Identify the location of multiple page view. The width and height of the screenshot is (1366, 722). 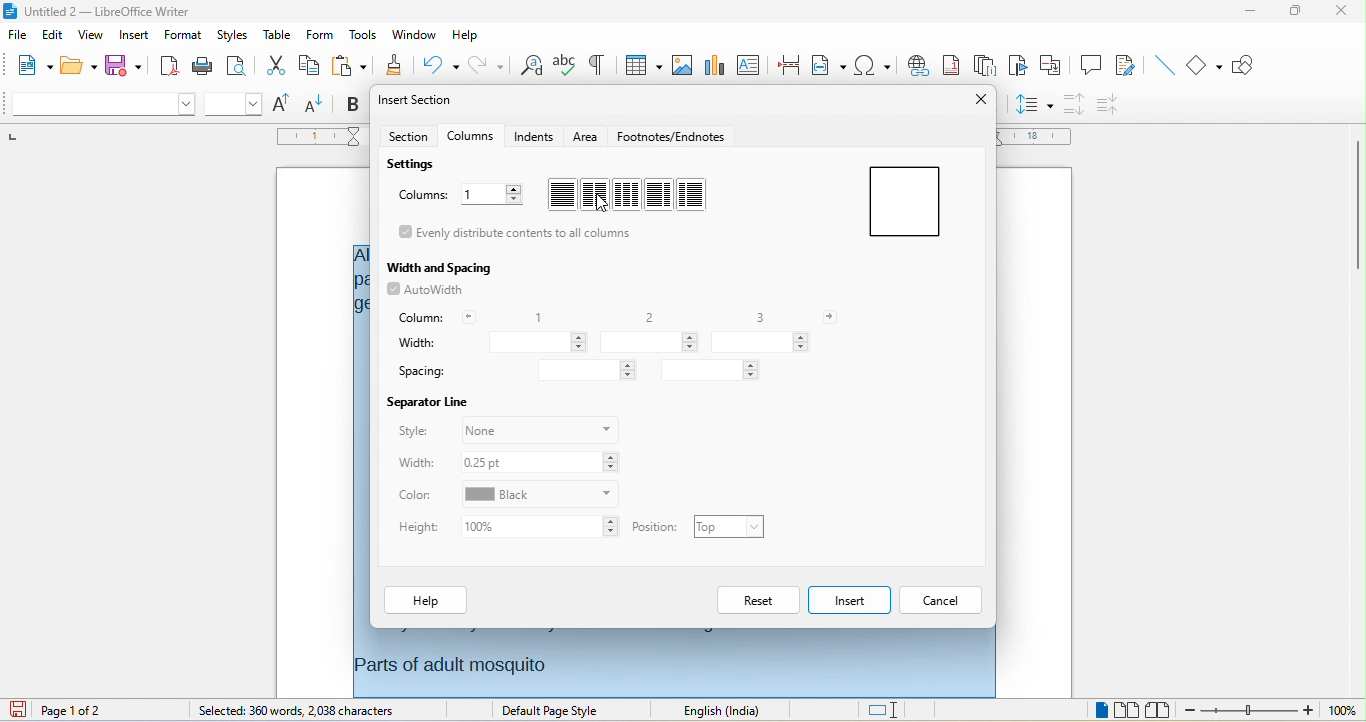
(1126, 710).